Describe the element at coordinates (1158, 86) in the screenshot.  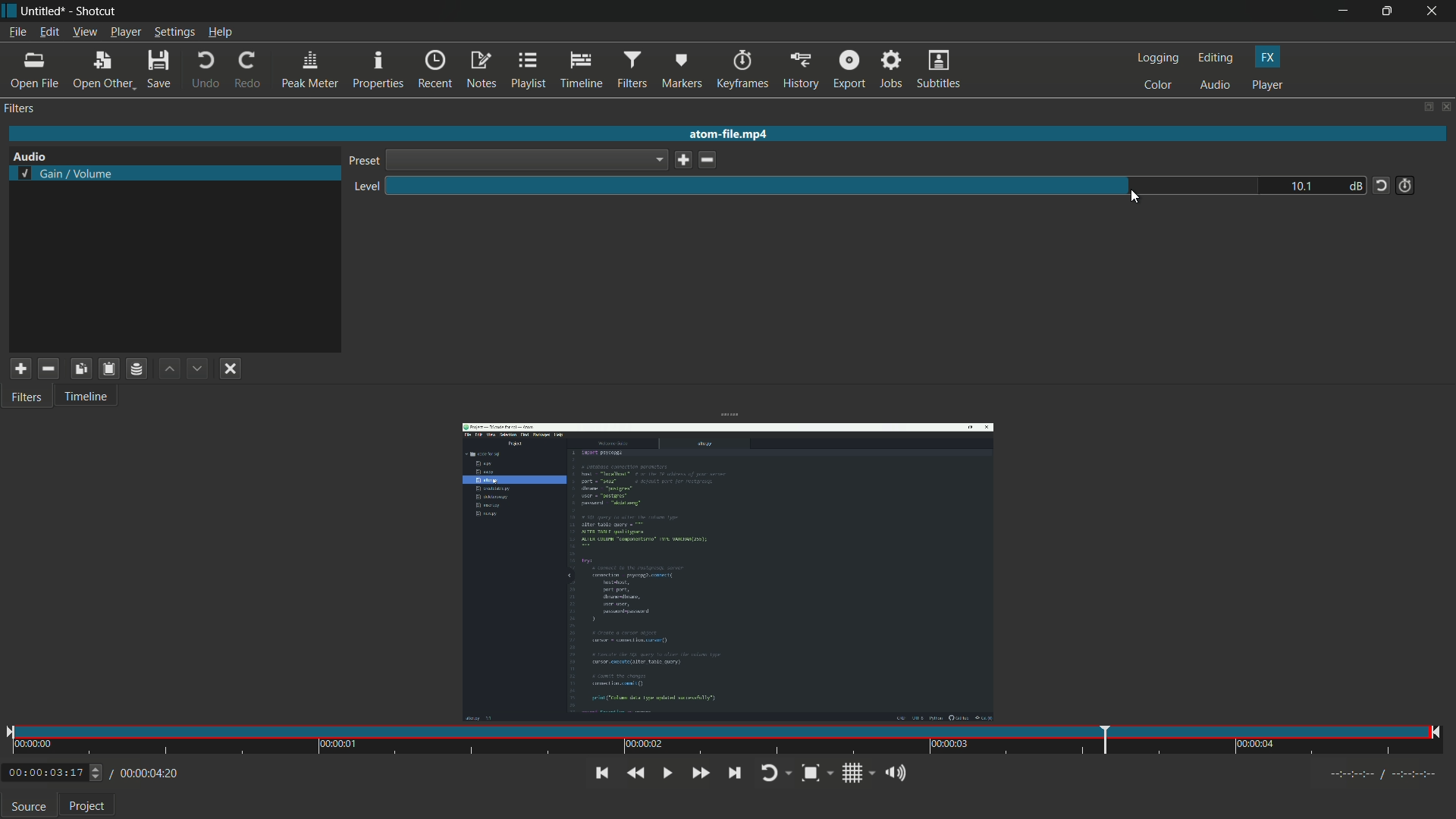
I see `color` at that location.